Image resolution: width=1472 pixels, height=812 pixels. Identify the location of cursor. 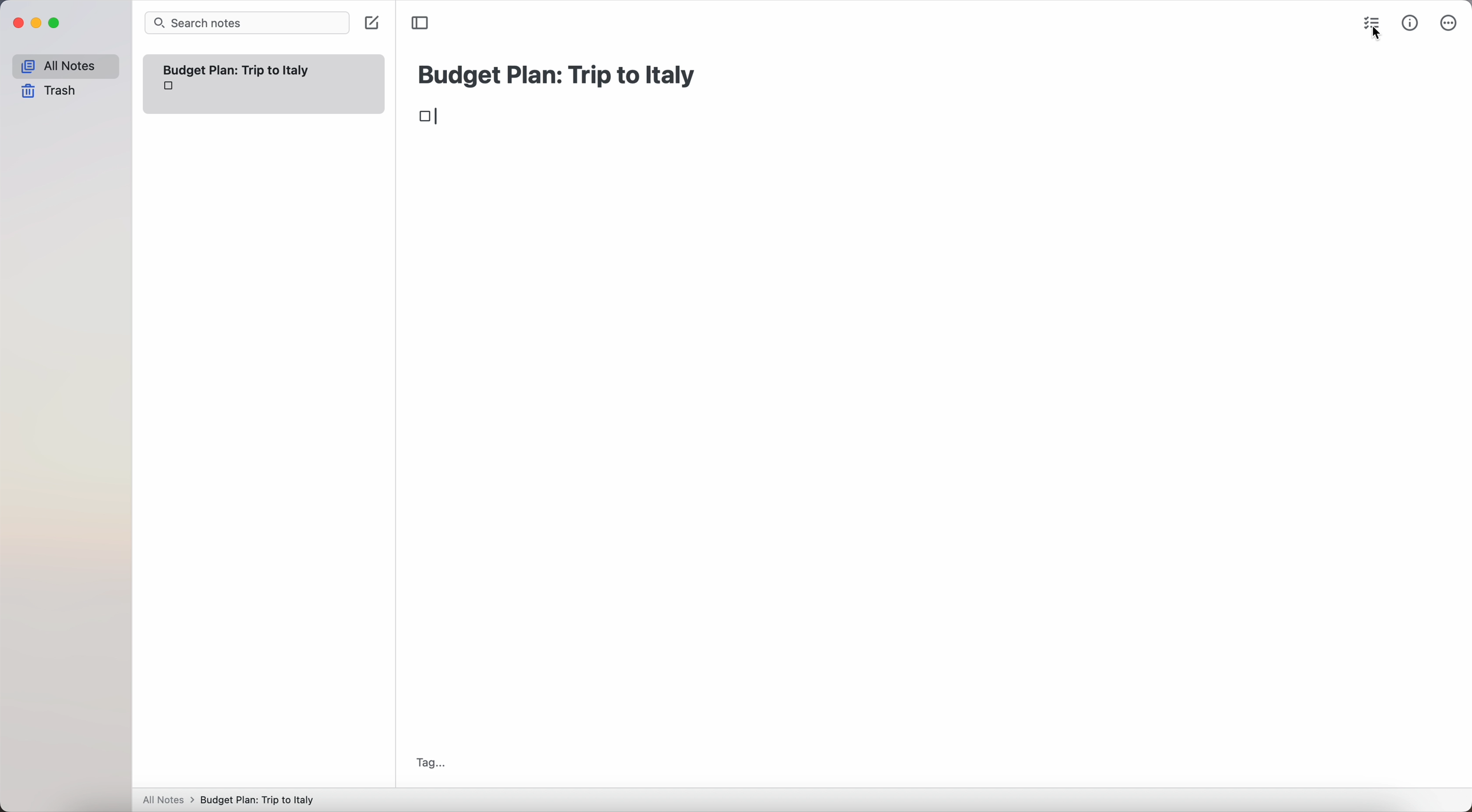
(1375, 35).